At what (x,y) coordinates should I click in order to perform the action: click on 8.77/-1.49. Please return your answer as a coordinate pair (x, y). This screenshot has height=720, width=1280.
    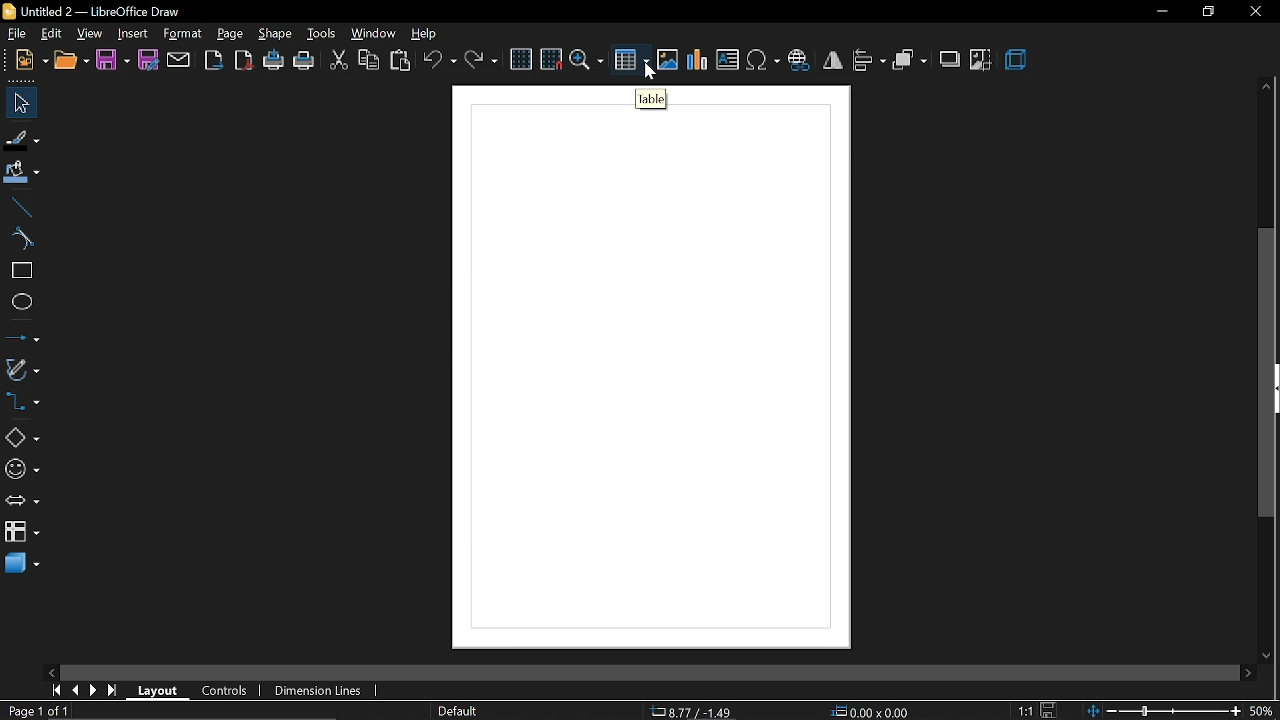
    Looking at the image, I should click on (693, 712).